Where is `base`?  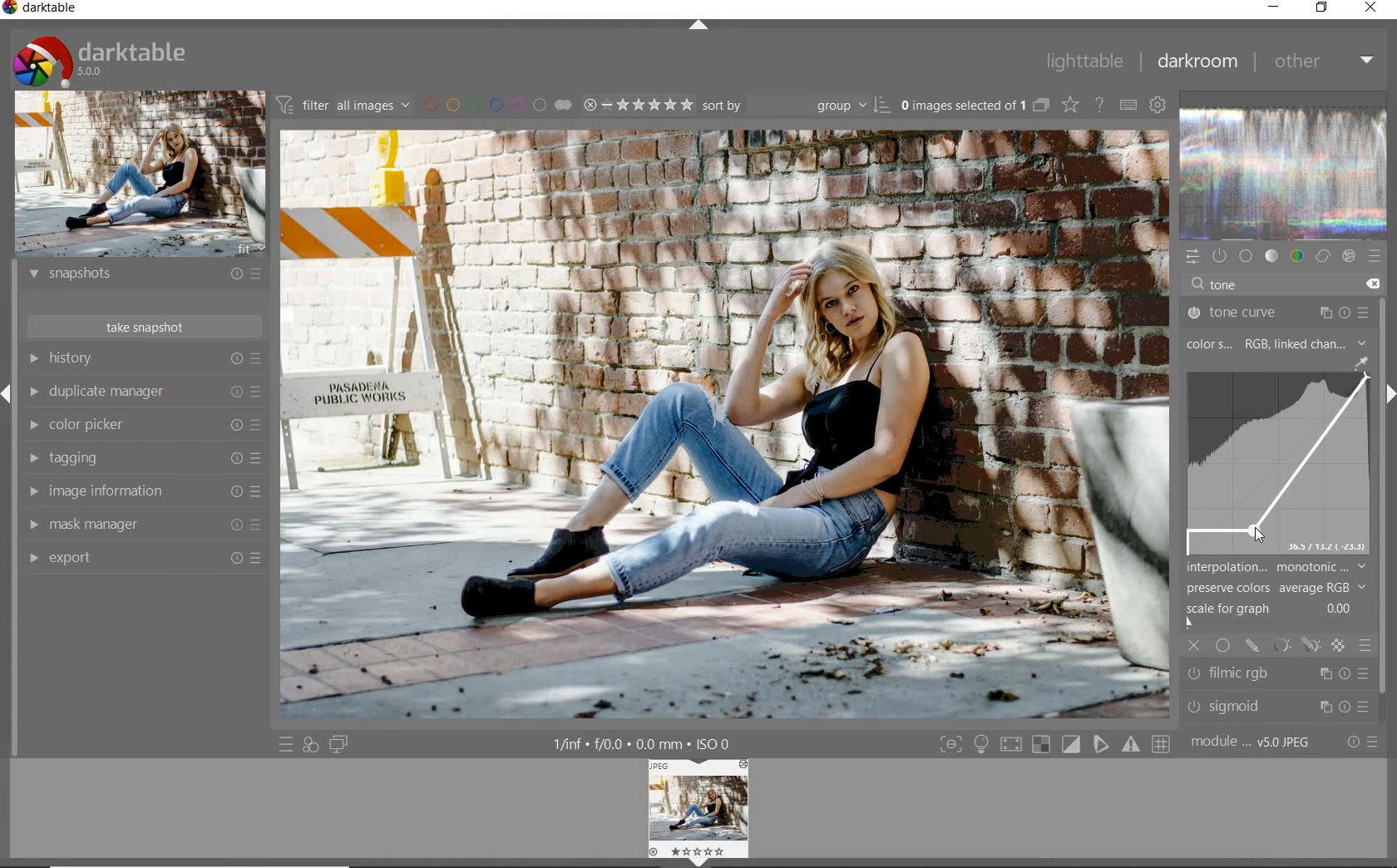
base is located at coordinates (1247, 256).